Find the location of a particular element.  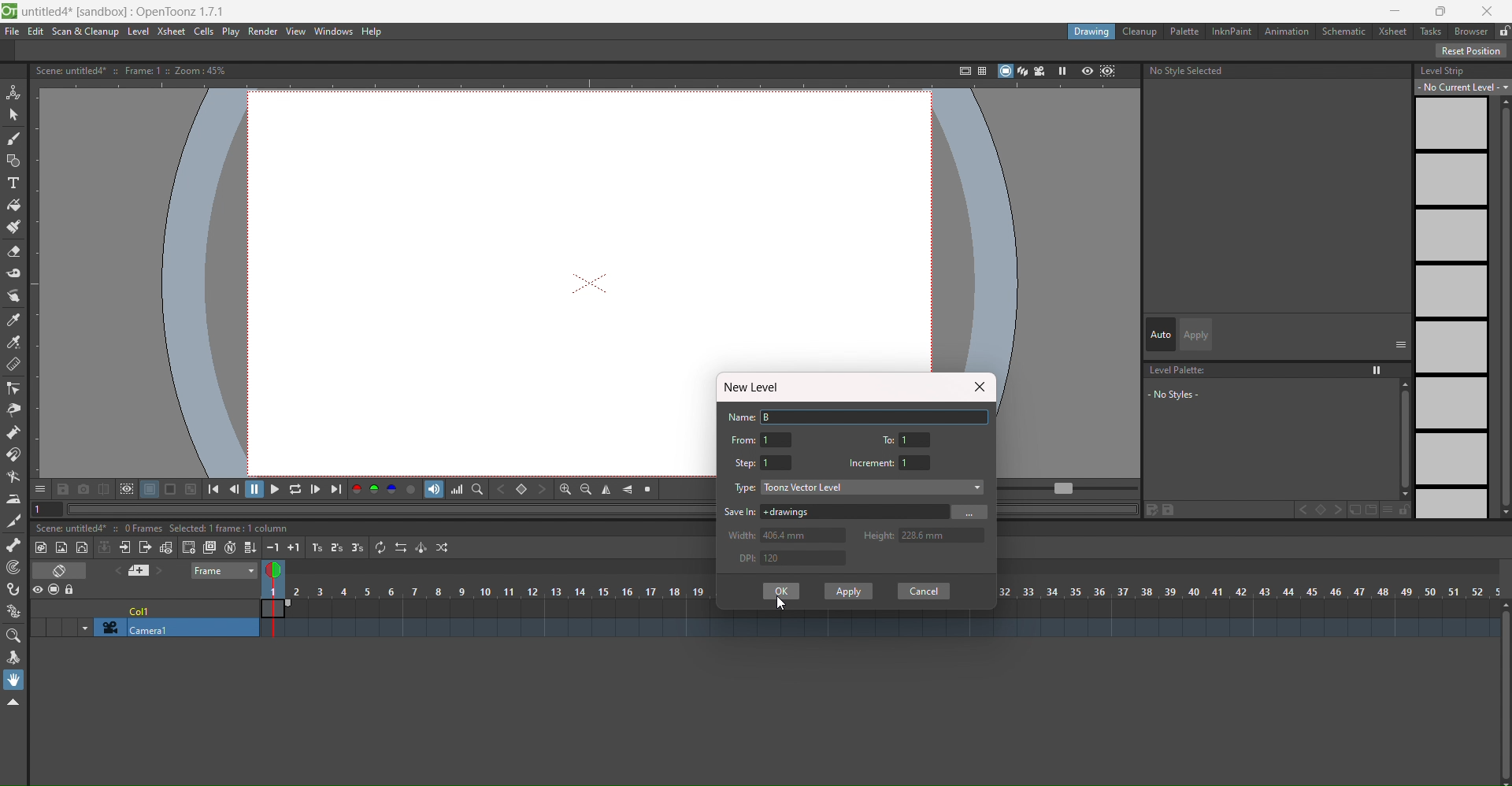

safe area is located at coordinates (961, 71).